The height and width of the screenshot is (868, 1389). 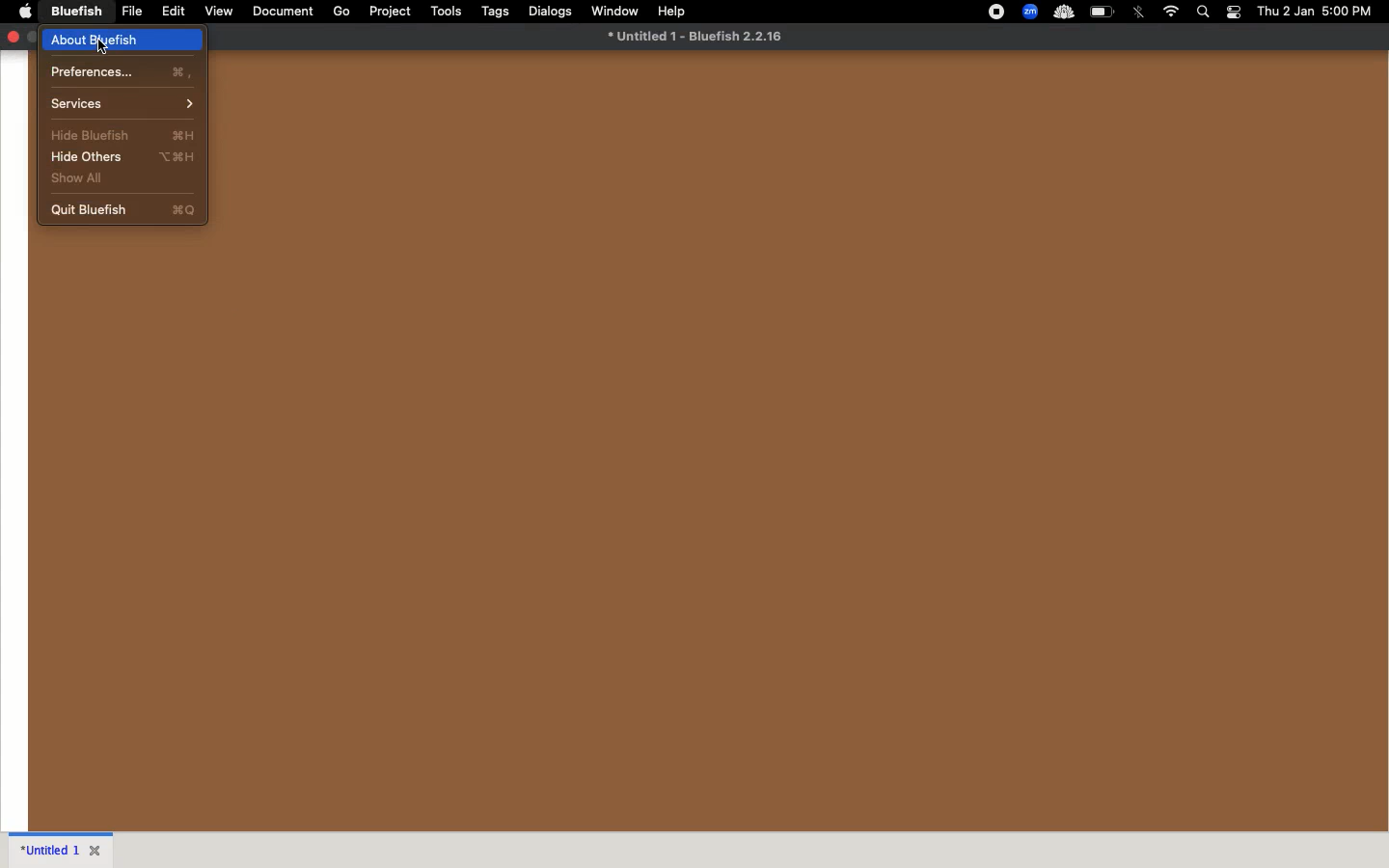 What do you see at coordinates (24, 10) in the screenshot?
I see `apple` at bounding box center [24, 10].